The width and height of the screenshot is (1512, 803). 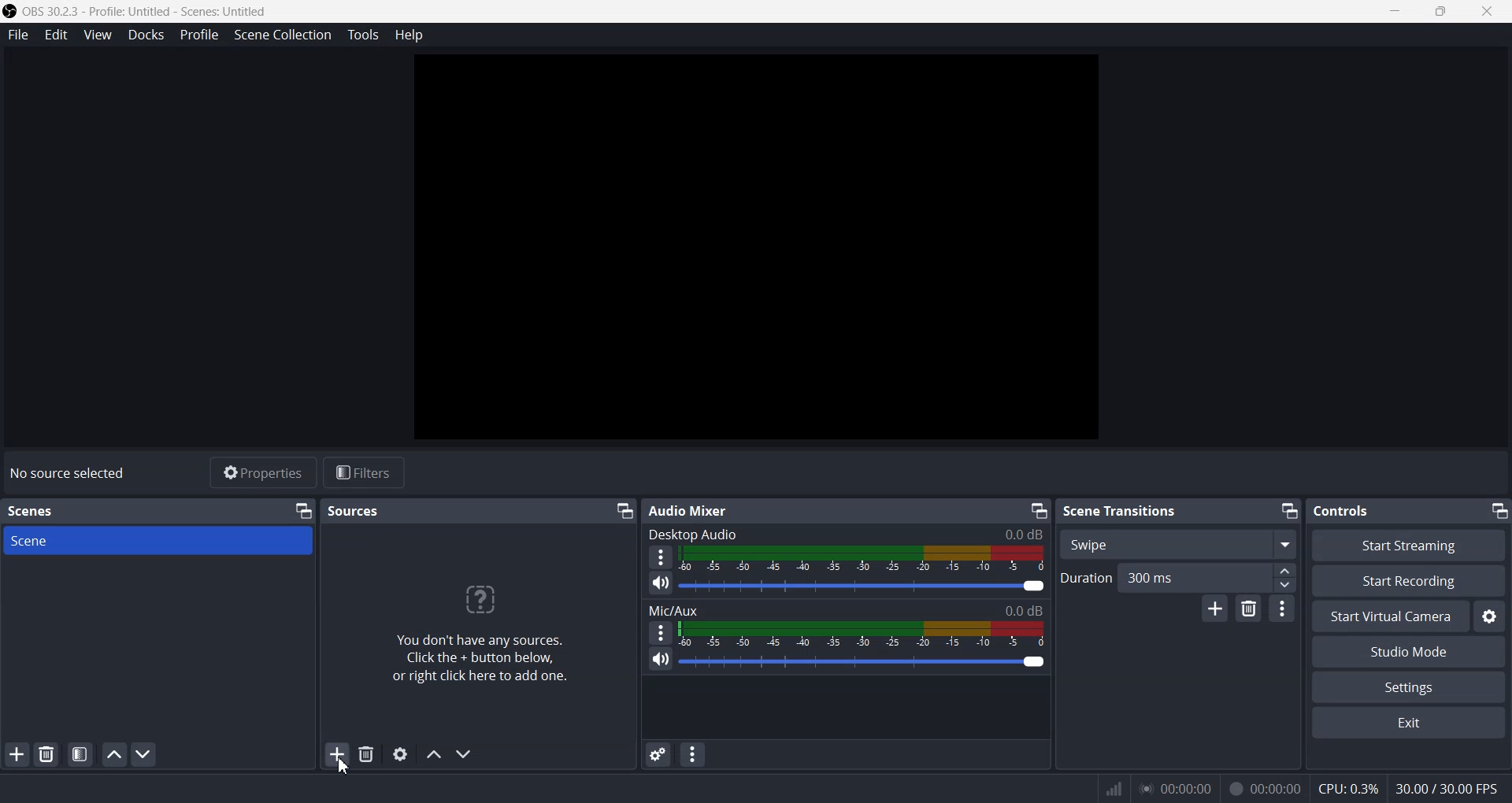 I want to click on Desktop Audio, so click(x=848, y=534).